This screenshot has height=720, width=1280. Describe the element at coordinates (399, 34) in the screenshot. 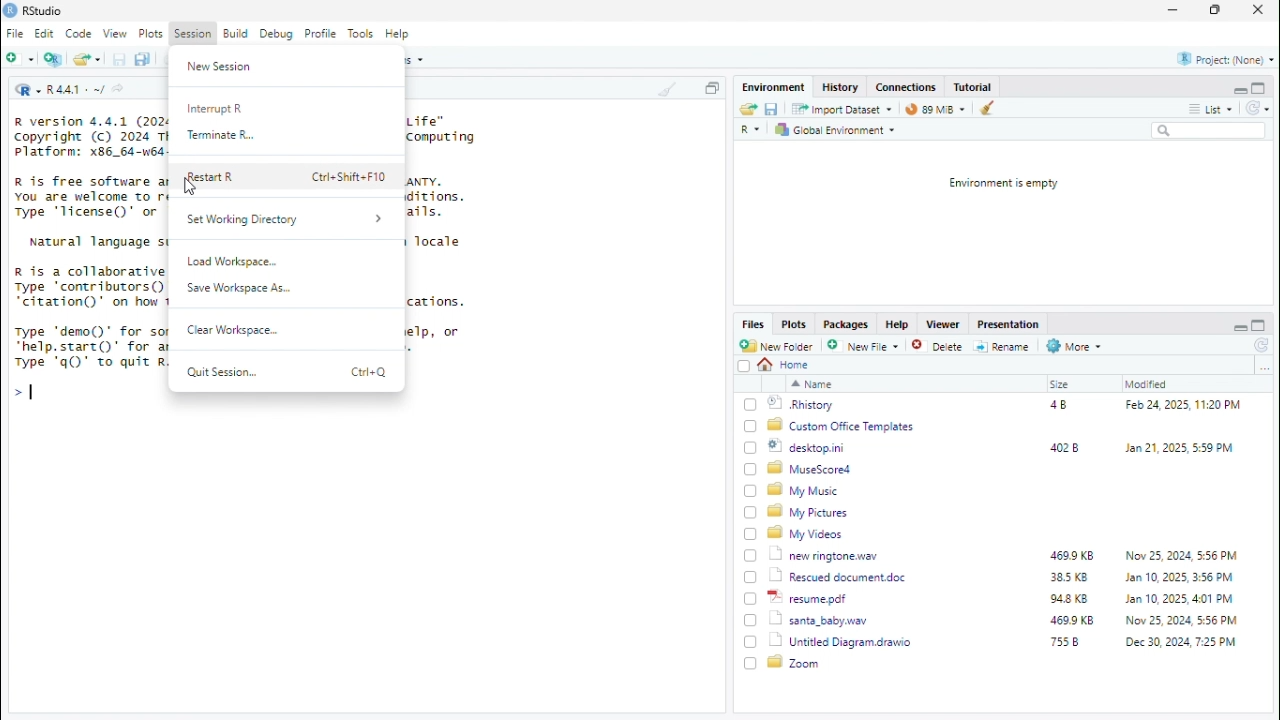

I see `Help` at that location.